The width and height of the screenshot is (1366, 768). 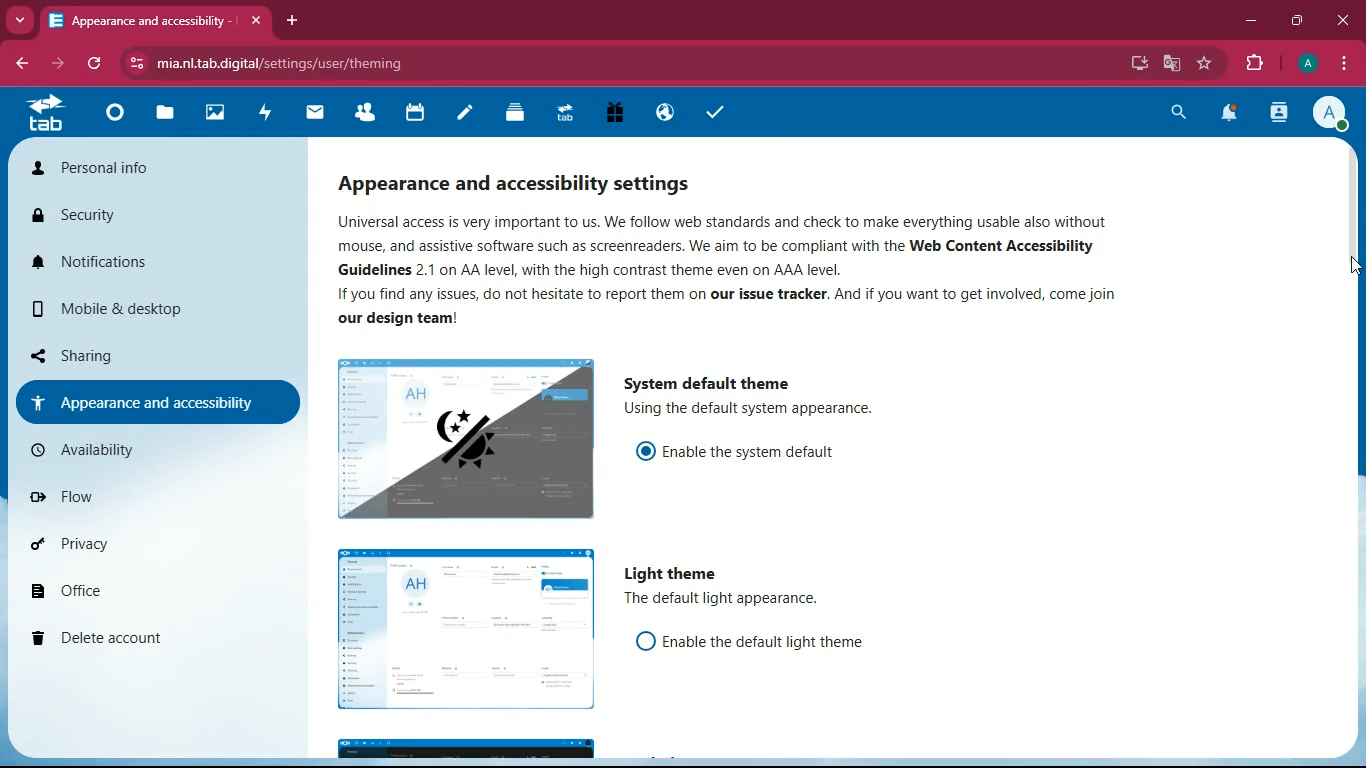 What do you see at coordinates (1295, 21) in the screenshot?
I see `maximize` at bounding box center [1295, 21].